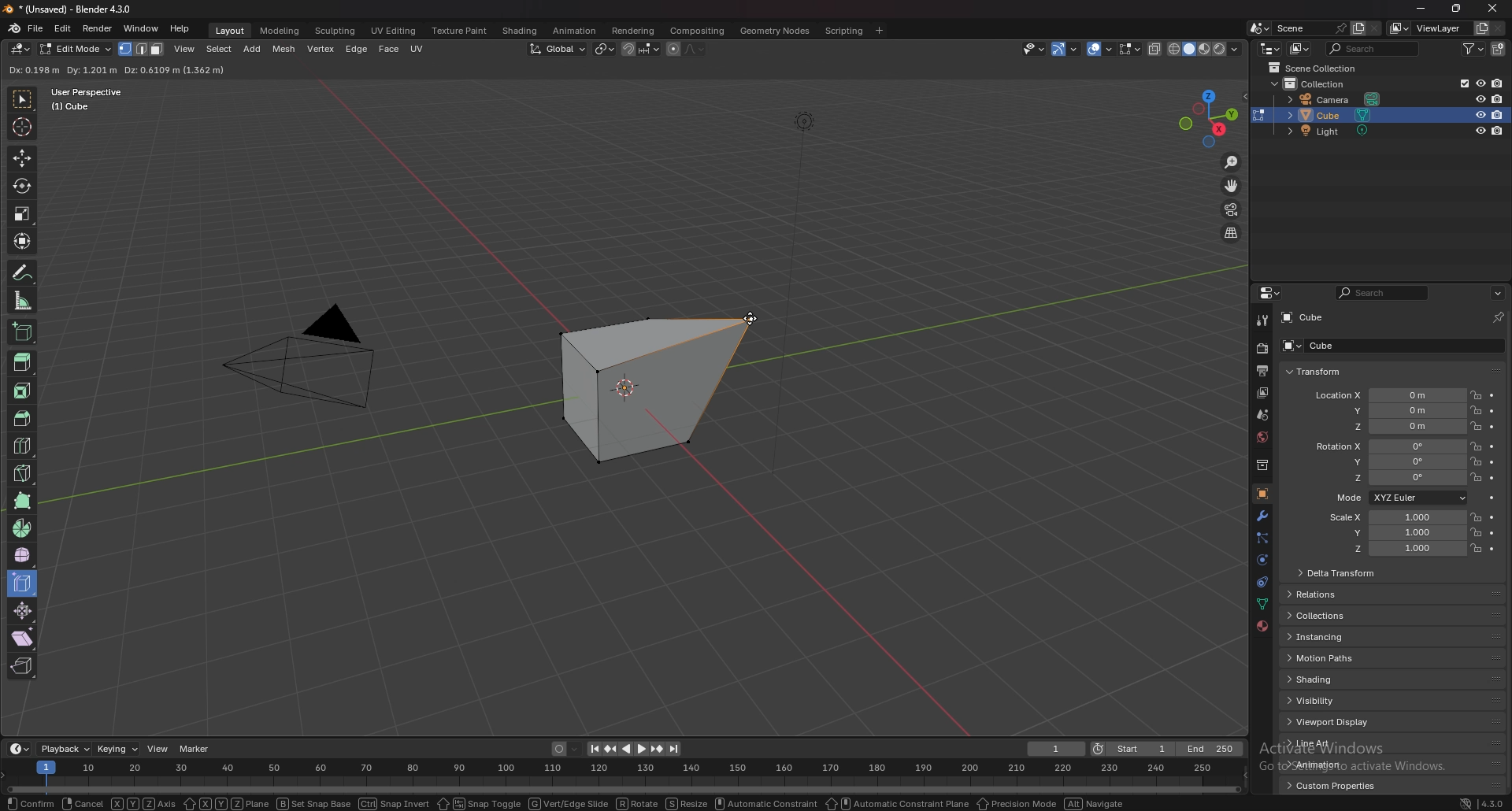 The height and width of the screenshot is (811, 1512). What do you see at coordinates (21, 332) in the screenshot?
I see `add cube` at bounding box center [21, 332].